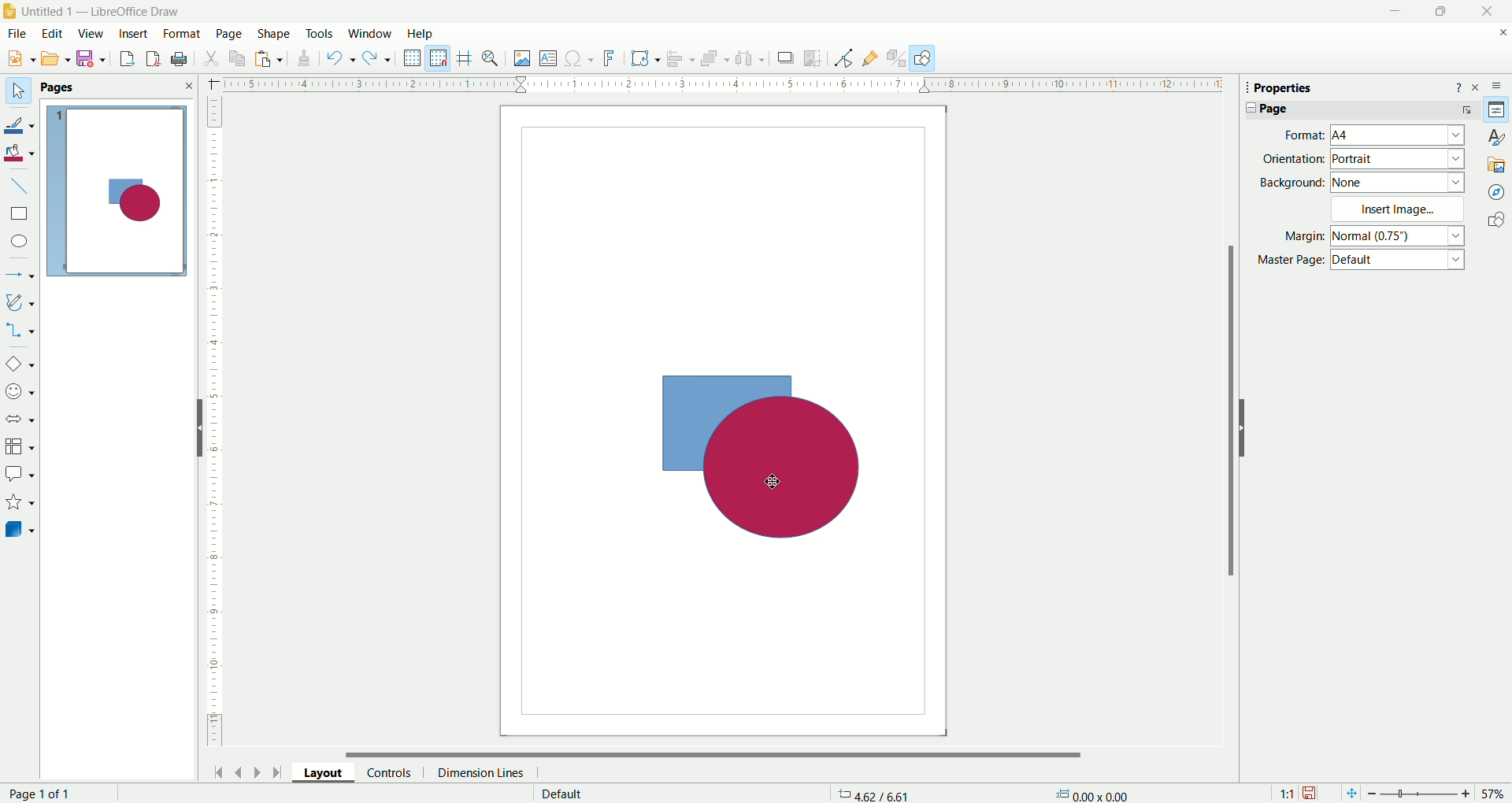 The height and width of the screenshot is (803, 1512). What do you see at coordinates (11, 9) in the screenshot?
I see `logo` at bounding box center [11, 9].